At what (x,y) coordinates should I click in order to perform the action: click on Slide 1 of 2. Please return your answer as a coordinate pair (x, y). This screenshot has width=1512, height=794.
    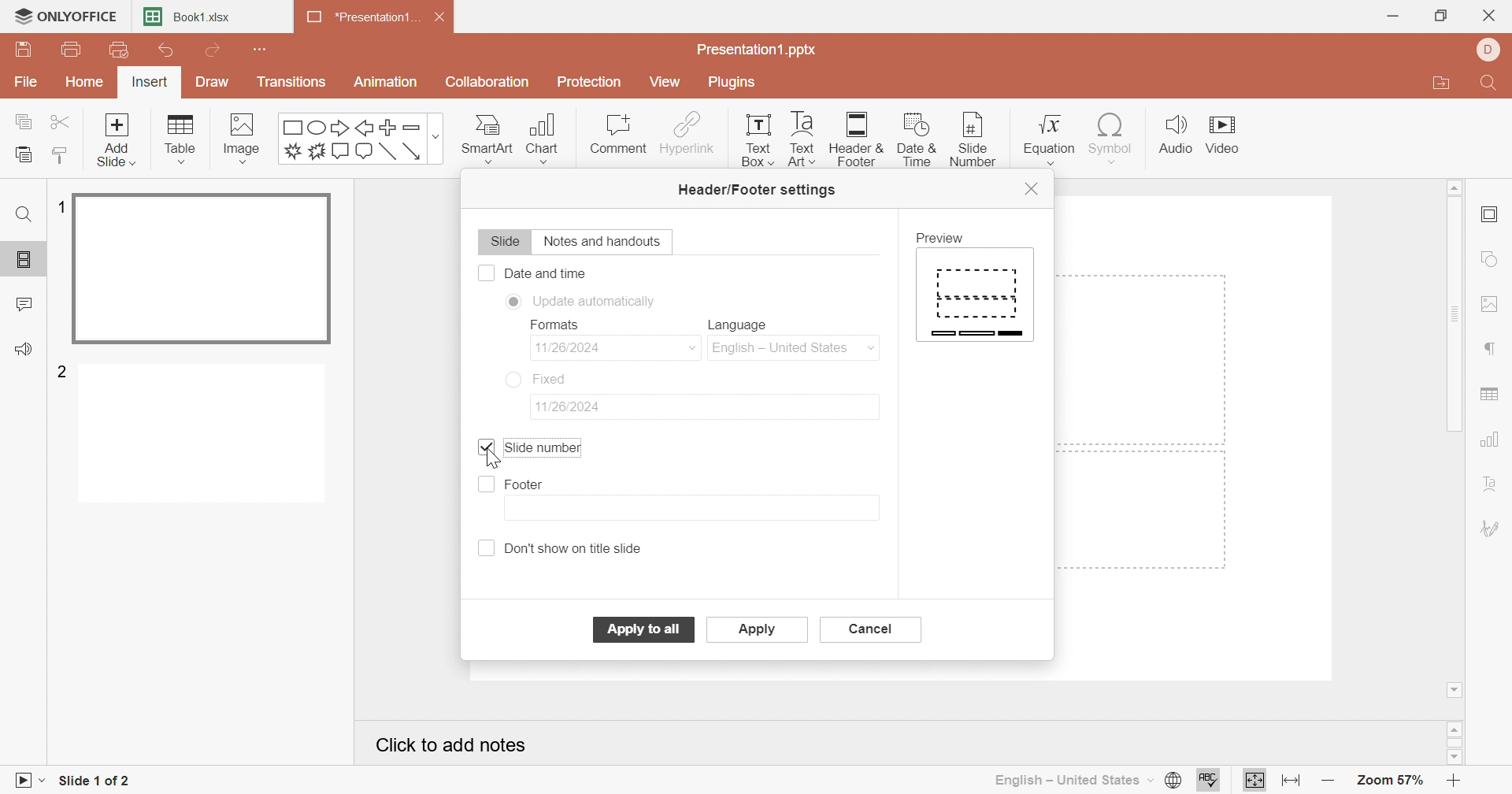
    Looking at the image, I should click on (96, 783).